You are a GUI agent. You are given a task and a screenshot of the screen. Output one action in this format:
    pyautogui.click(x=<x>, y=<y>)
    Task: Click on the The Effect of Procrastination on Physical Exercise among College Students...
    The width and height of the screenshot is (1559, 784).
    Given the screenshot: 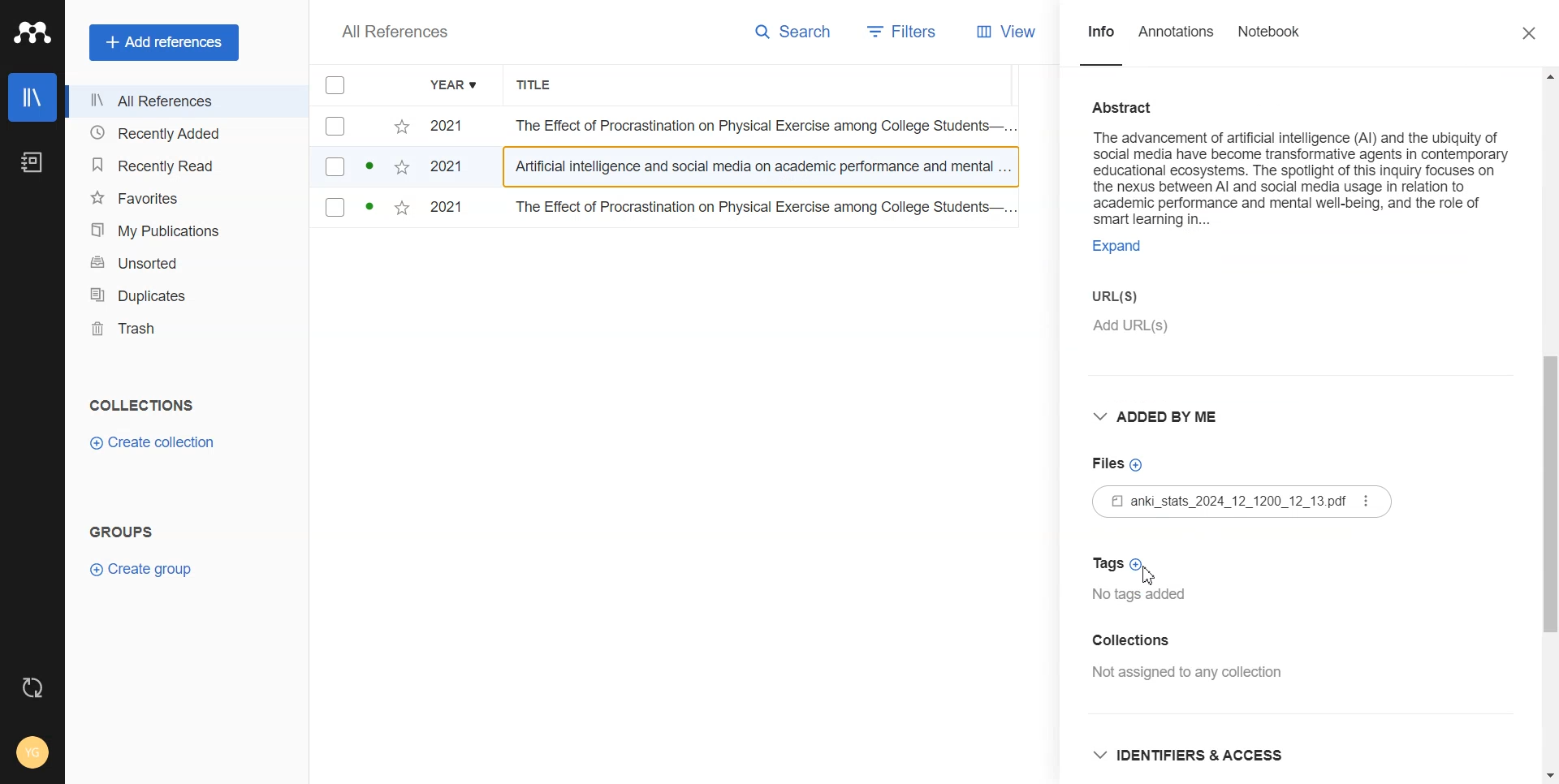 What is the action you would take?
    pyautogui.click(x=762, y=209)
    